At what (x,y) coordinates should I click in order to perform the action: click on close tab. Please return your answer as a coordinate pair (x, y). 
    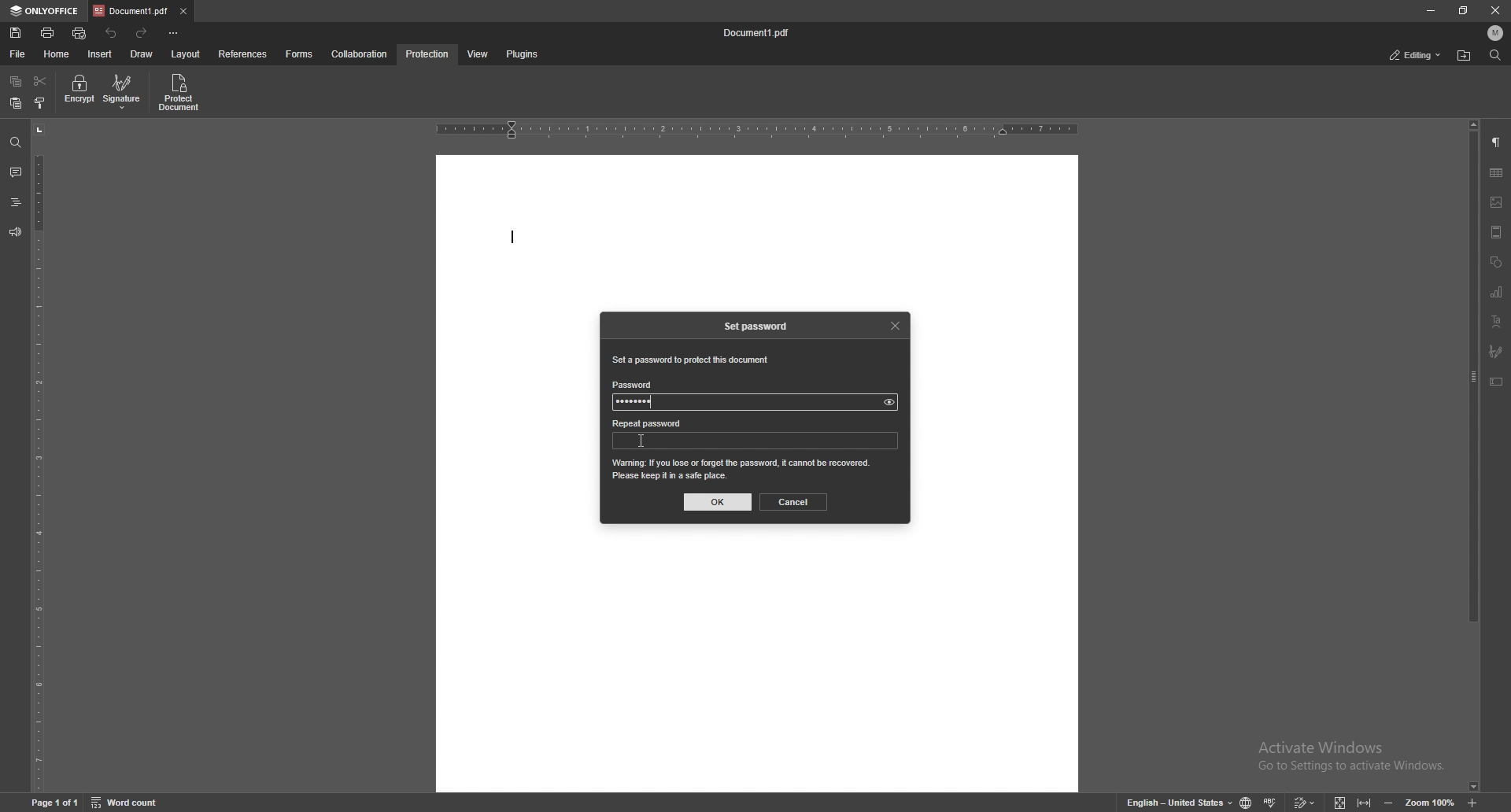
    Looking at the image, I should click on (183, 10).